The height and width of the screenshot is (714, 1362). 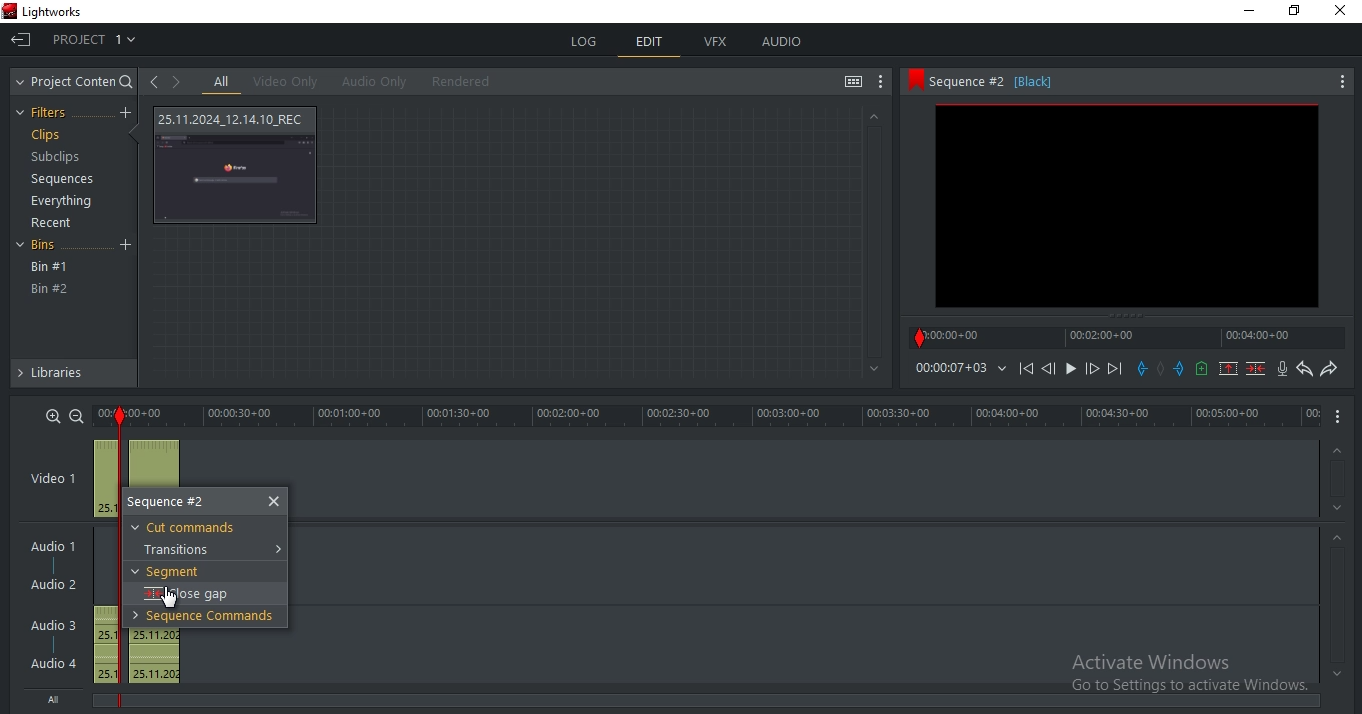 What do you see at coordinates (717, 42) in the screenshot?
I see `vfx` at bounding box center [717, 42].